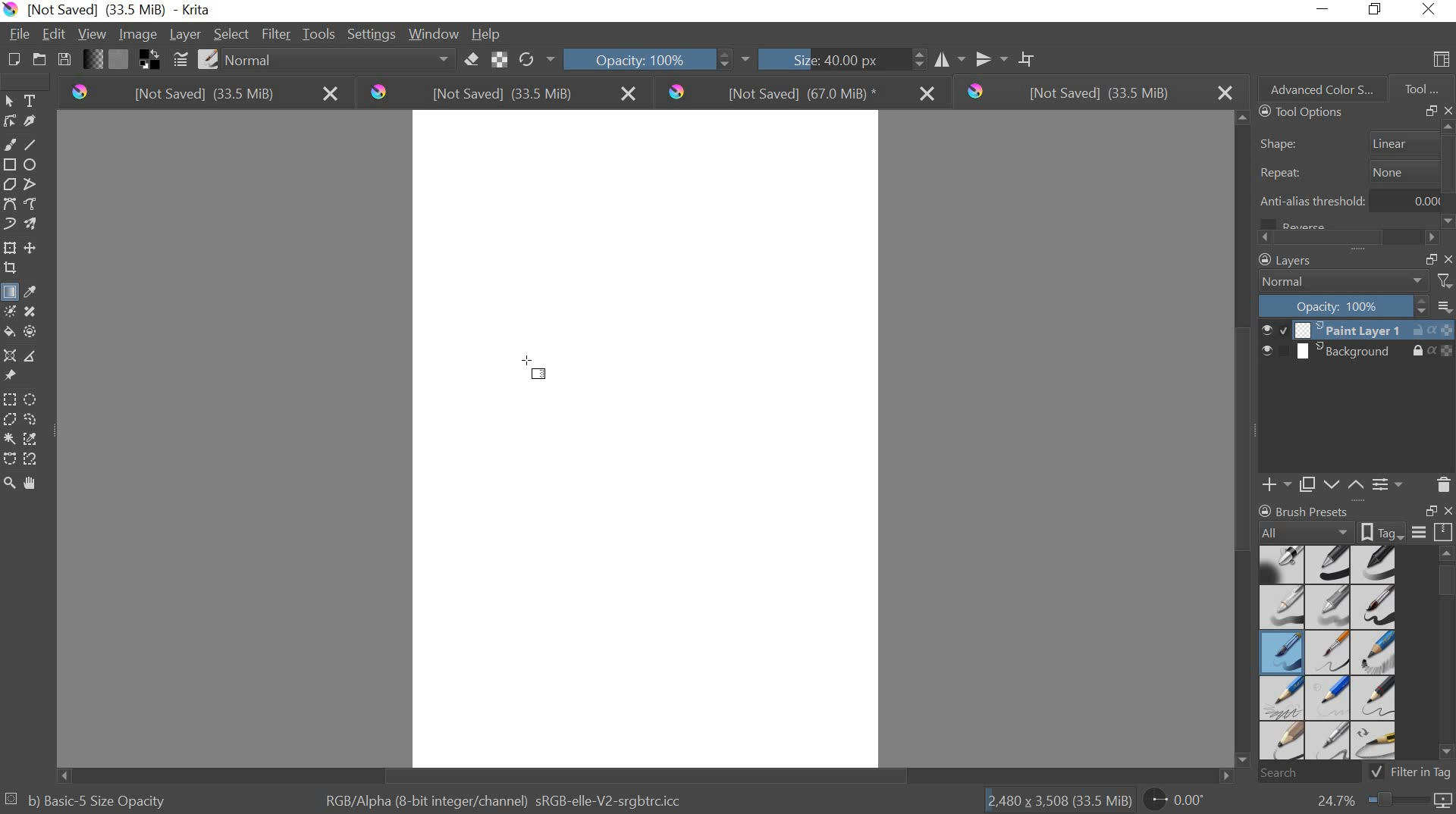 This screenshot has width=1456, height=814. What do you see at coordinates (1032, 56) in the screenshot?
I see `WRAP AROUND MODE` at bounding box center [1032, 56].